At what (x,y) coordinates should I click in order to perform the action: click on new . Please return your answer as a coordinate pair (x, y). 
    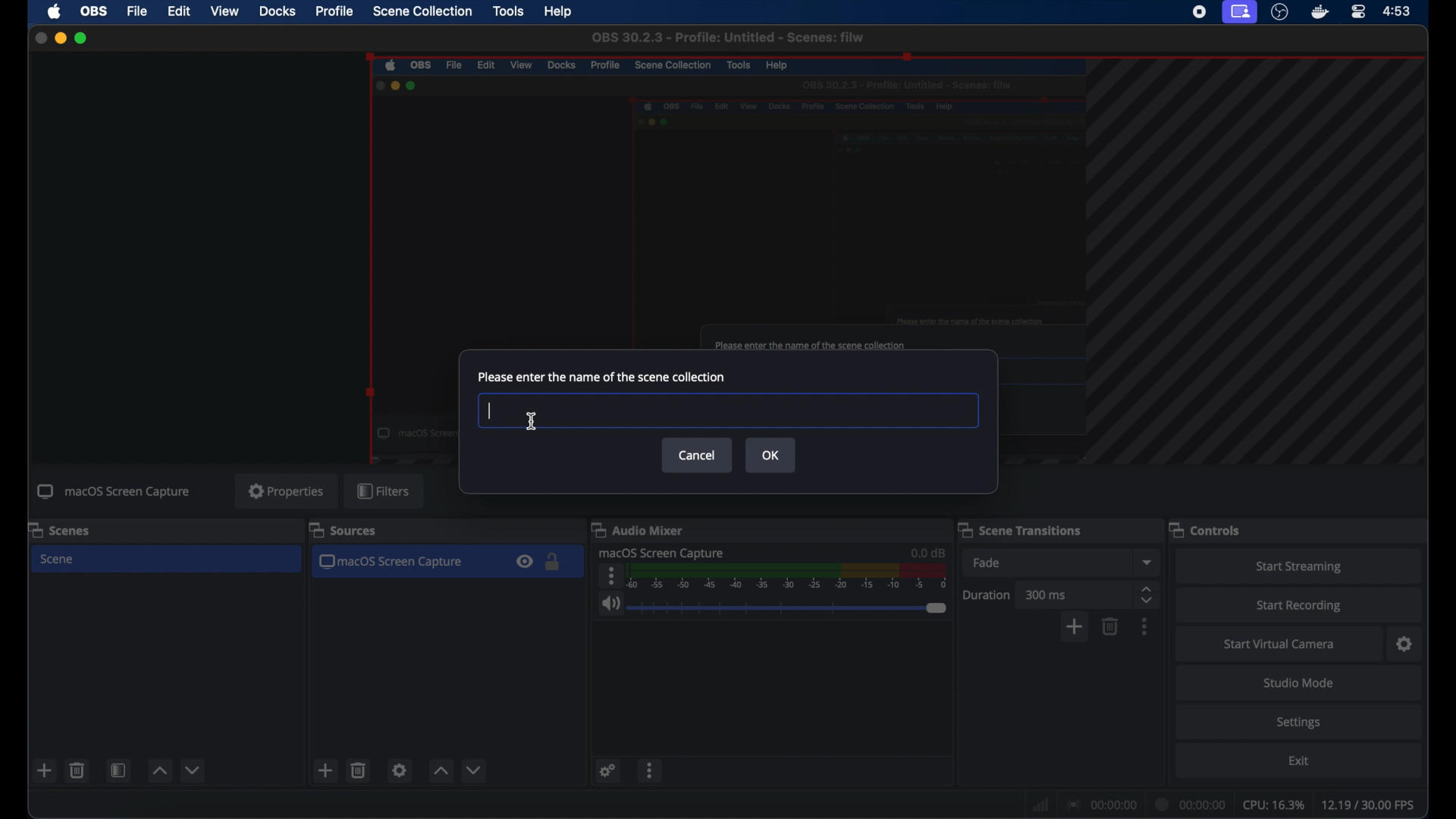
    Looking at the image, I should click on (43, 770).